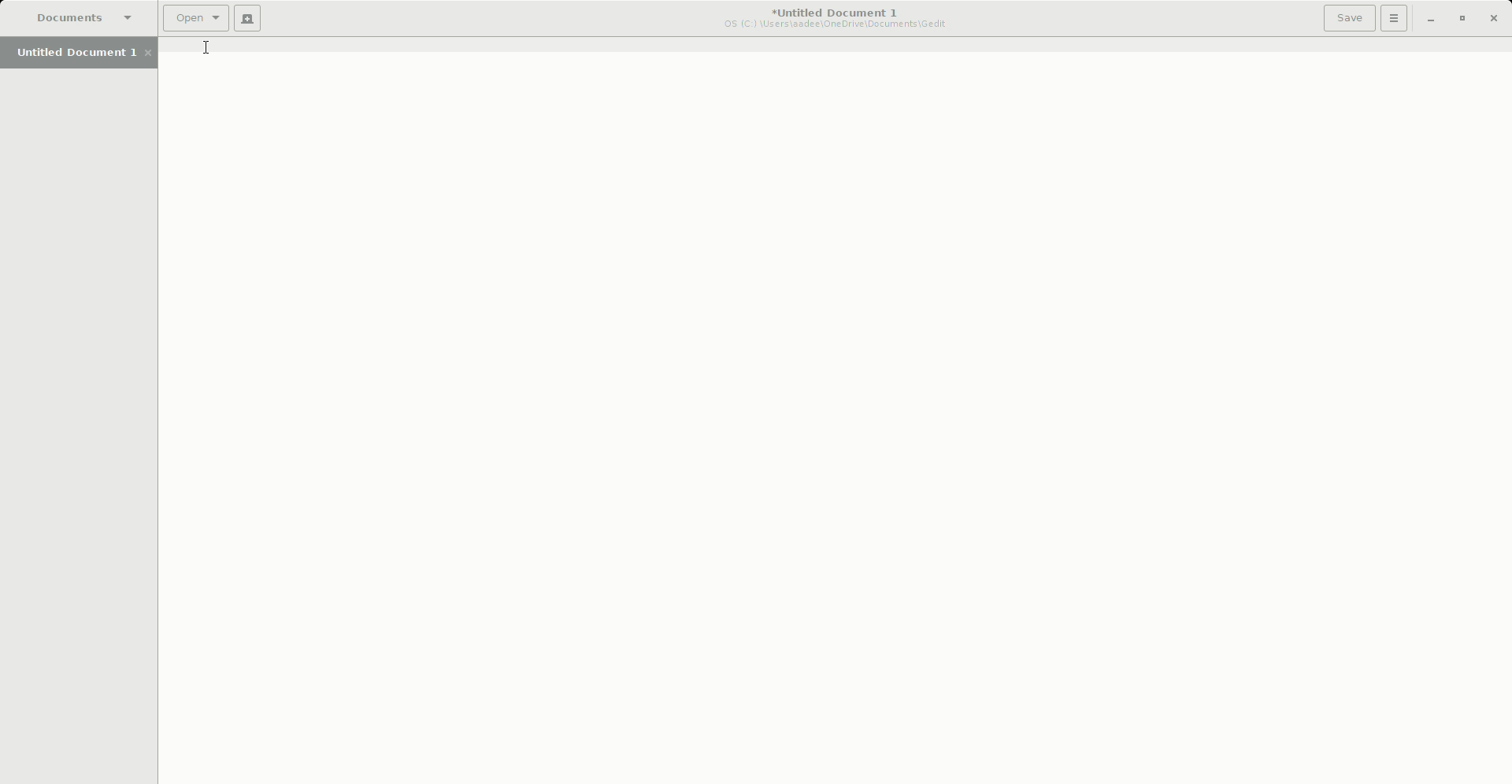 The height and width of the screenshot is (784, 1512). Describe the element at coordinates (1430, 20) in the screenshot. I see `Minimize` at that location.